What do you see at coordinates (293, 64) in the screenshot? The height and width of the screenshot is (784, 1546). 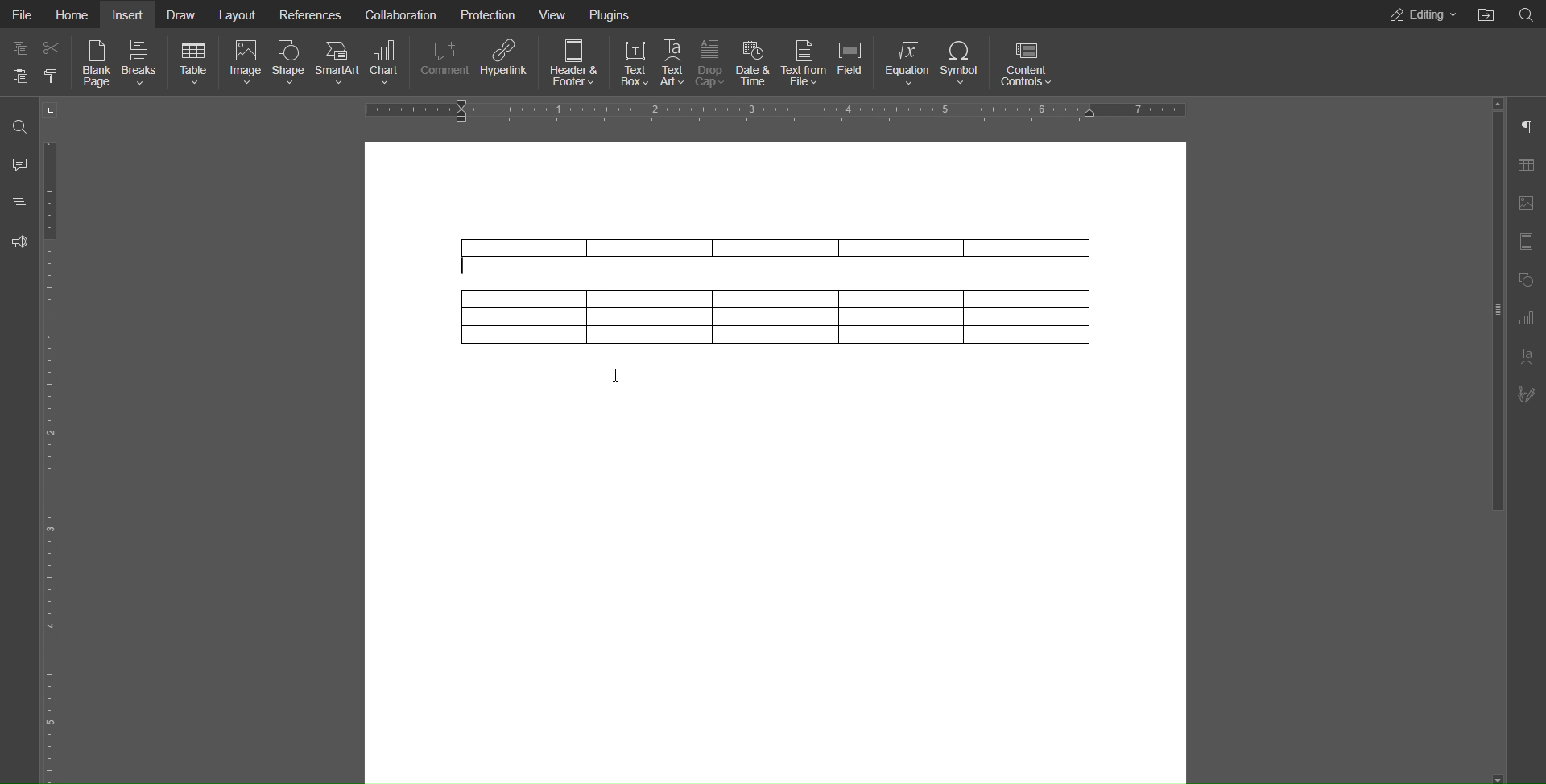 I see `Shape` at bounding box center [293, 64].